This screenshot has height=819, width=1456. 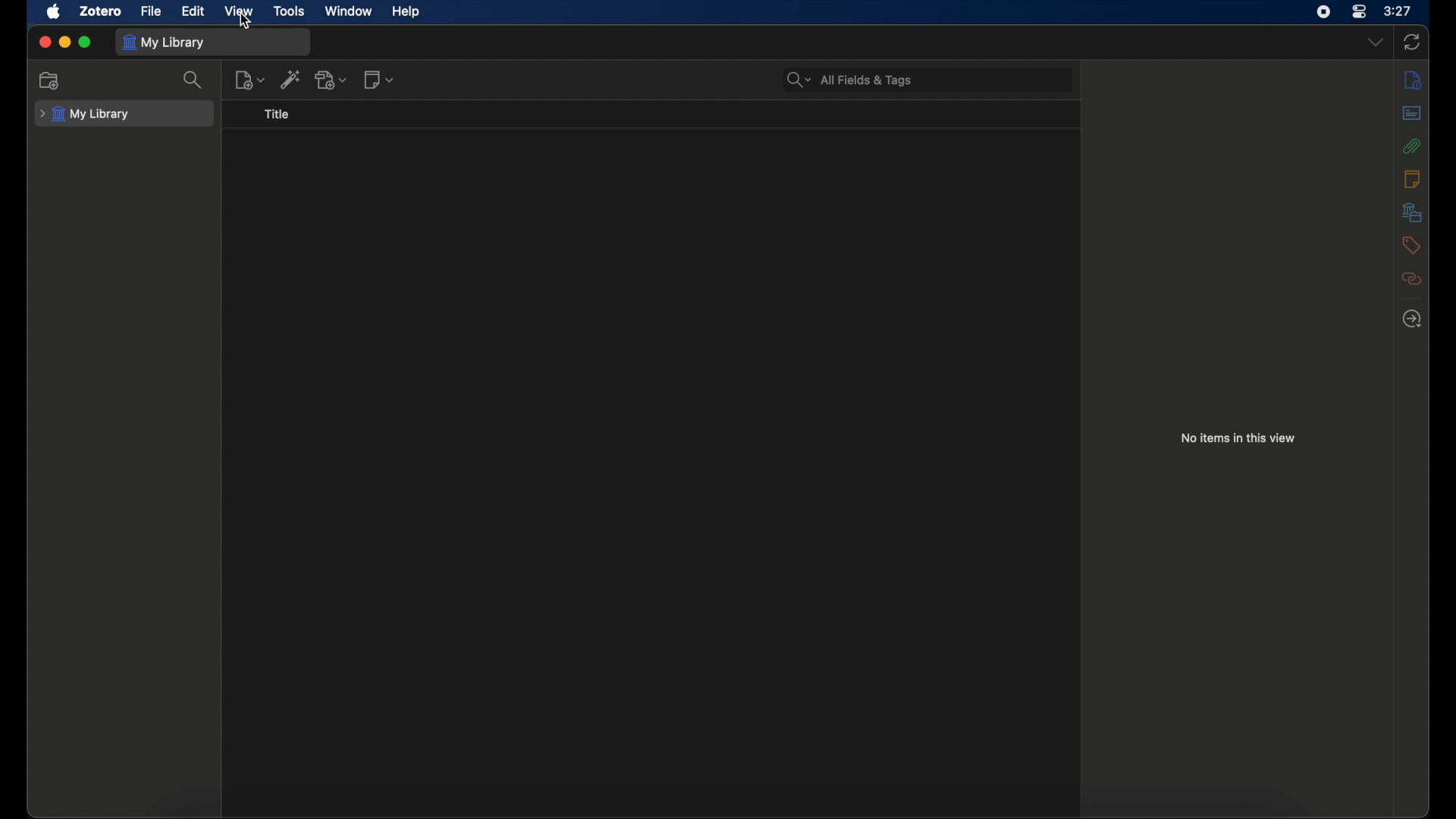 What do you see at coordinates (1410, 146) in the screenshot?
I see `attachments` at bounding box center [1410, 146].